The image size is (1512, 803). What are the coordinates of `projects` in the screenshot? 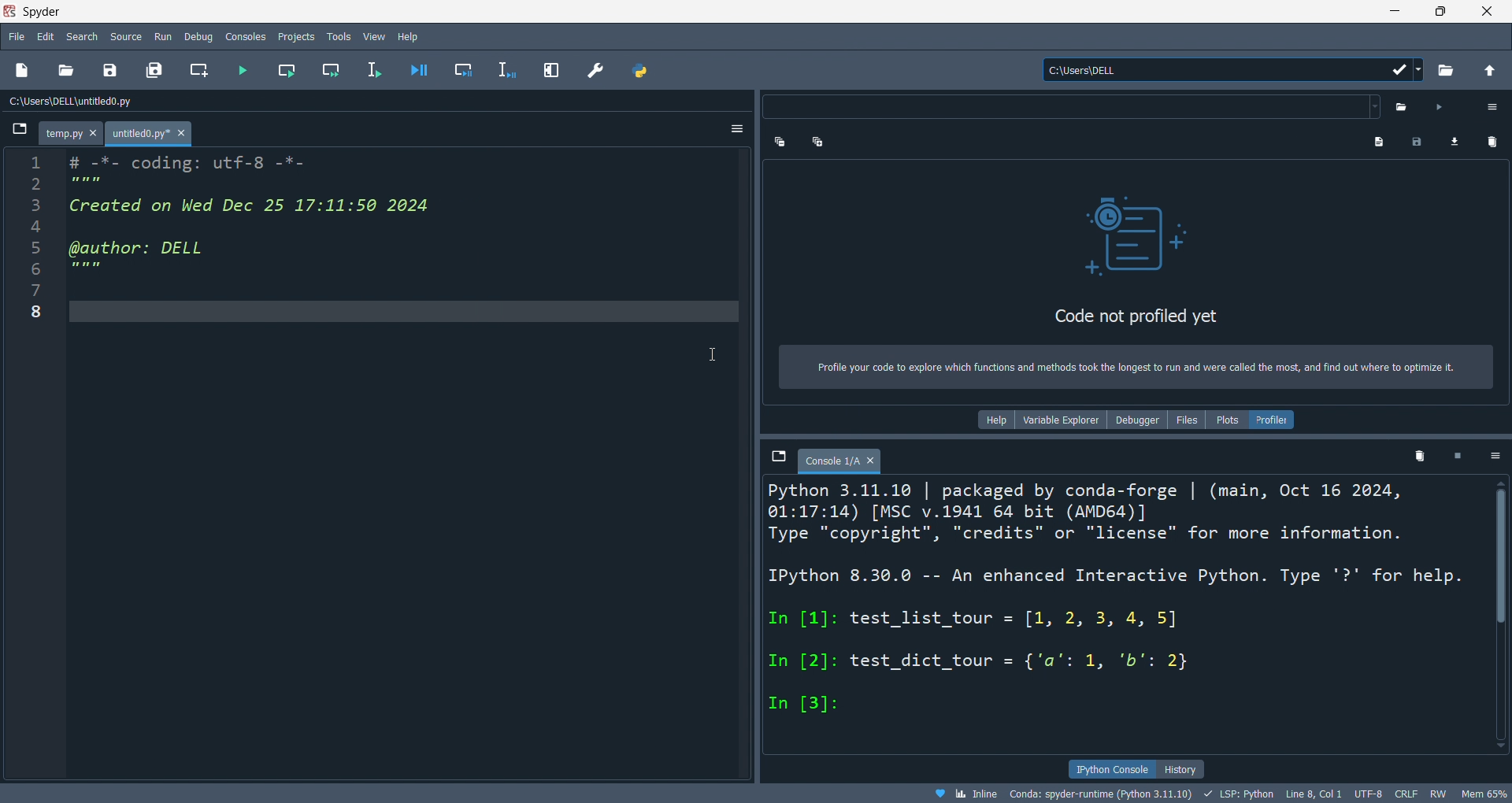 It's located at (301, 37).